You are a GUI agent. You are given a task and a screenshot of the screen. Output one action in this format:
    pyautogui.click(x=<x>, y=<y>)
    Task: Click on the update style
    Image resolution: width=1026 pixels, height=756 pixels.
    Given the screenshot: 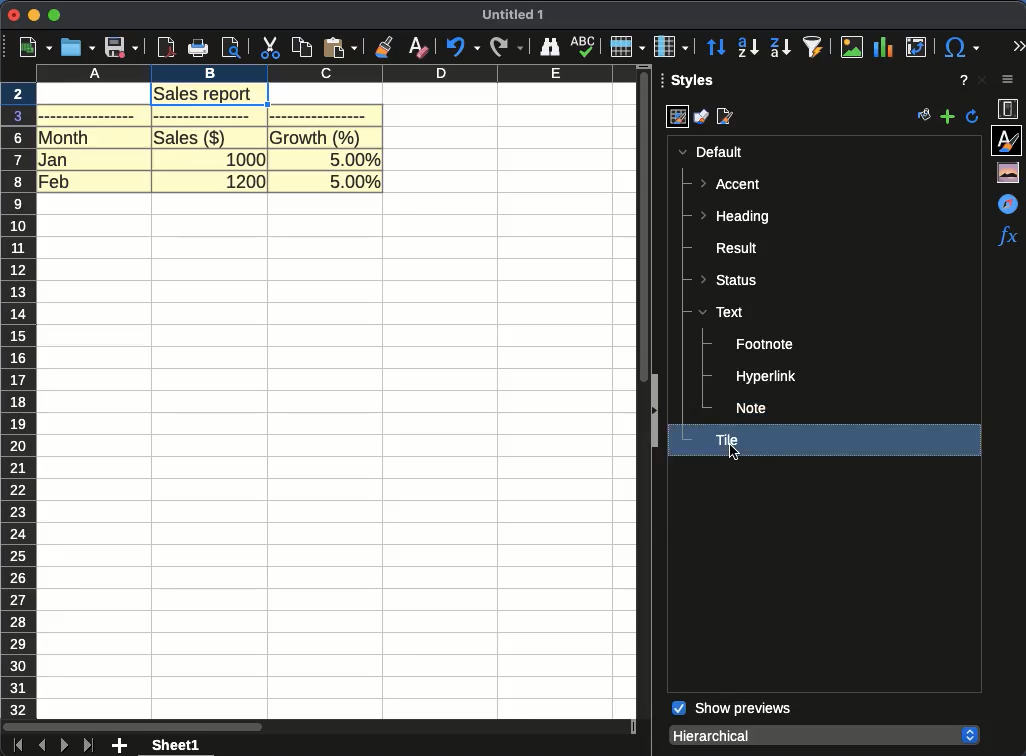 What is the action you would take?
    pyautogui.click(x=973, y=116)
    